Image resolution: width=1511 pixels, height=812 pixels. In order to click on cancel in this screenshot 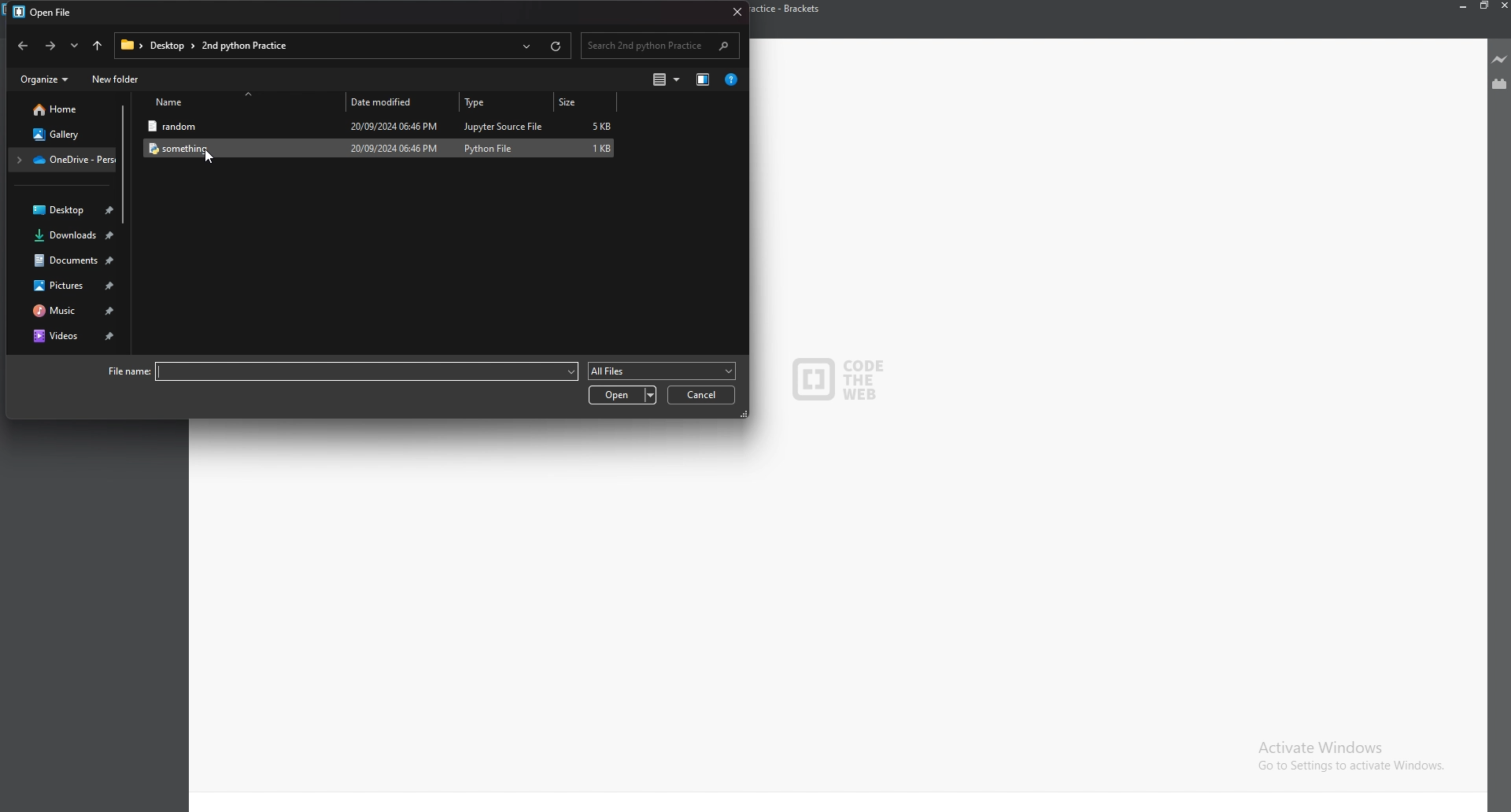, I will do `click(700, 395)`.